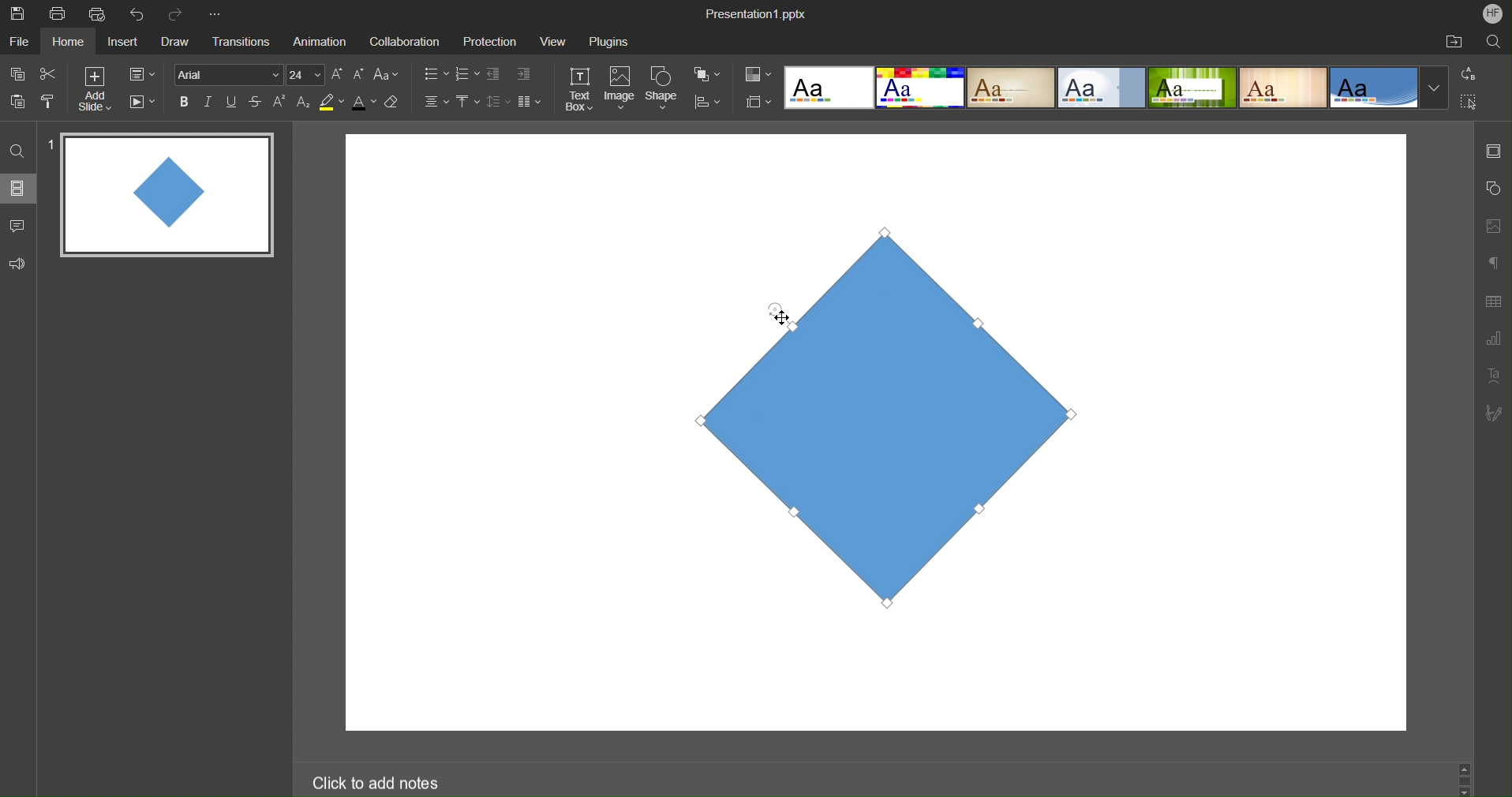 This screenshot has width=1512, height=797. I want to click on Save, so click(25, 15).